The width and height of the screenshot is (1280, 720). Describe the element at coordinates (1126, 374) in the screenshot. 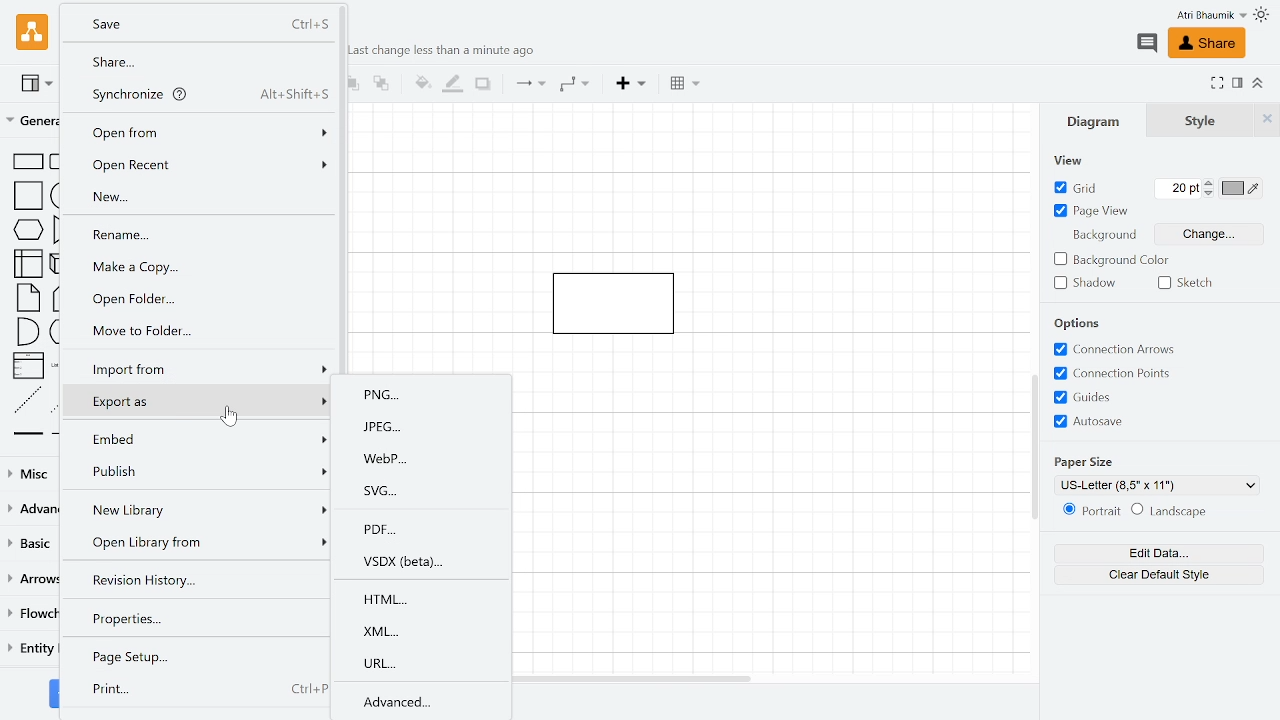

I see `Connection points` at that location.